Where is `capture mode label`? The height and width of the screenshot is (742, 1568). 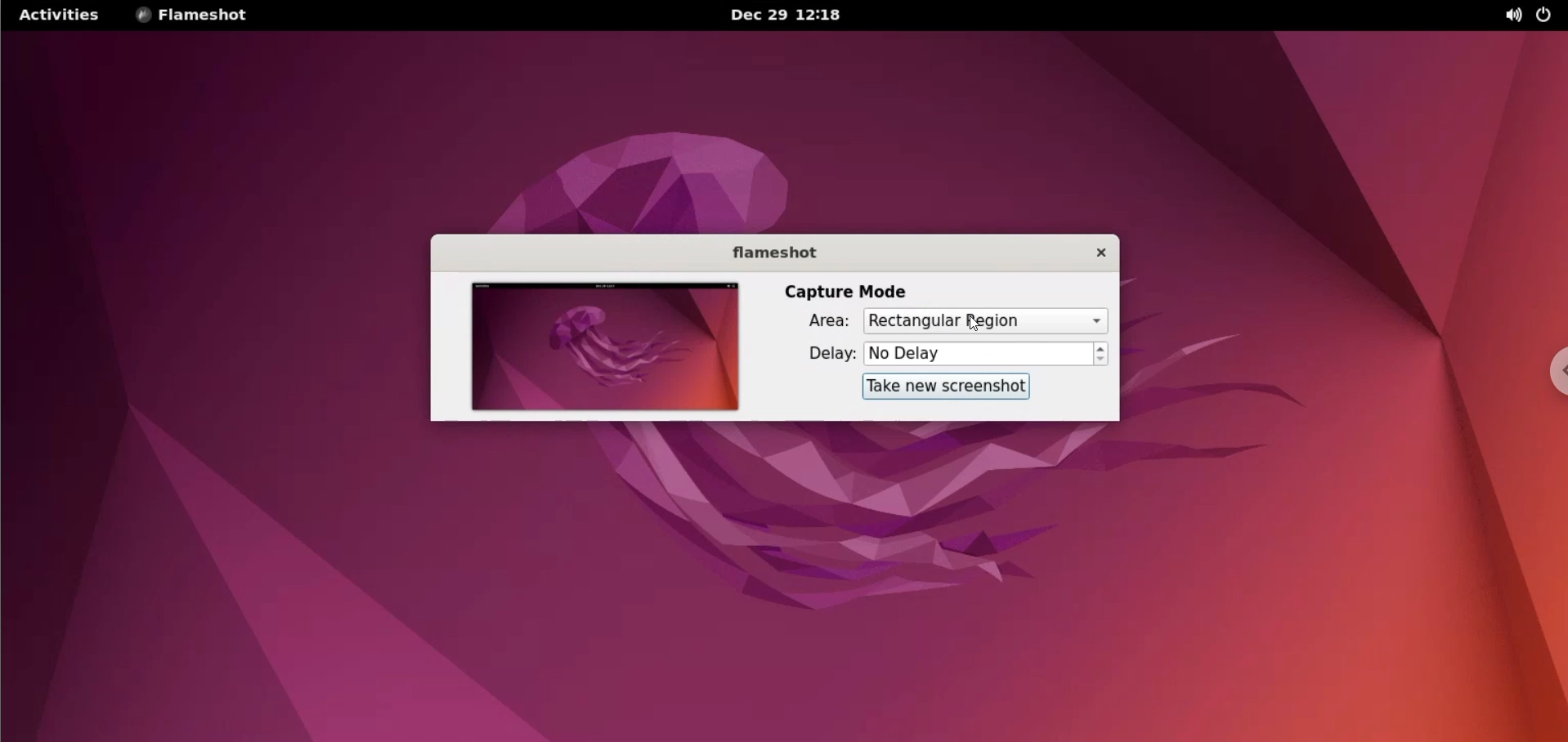 capture mode label is located at coordinates (847, 293).